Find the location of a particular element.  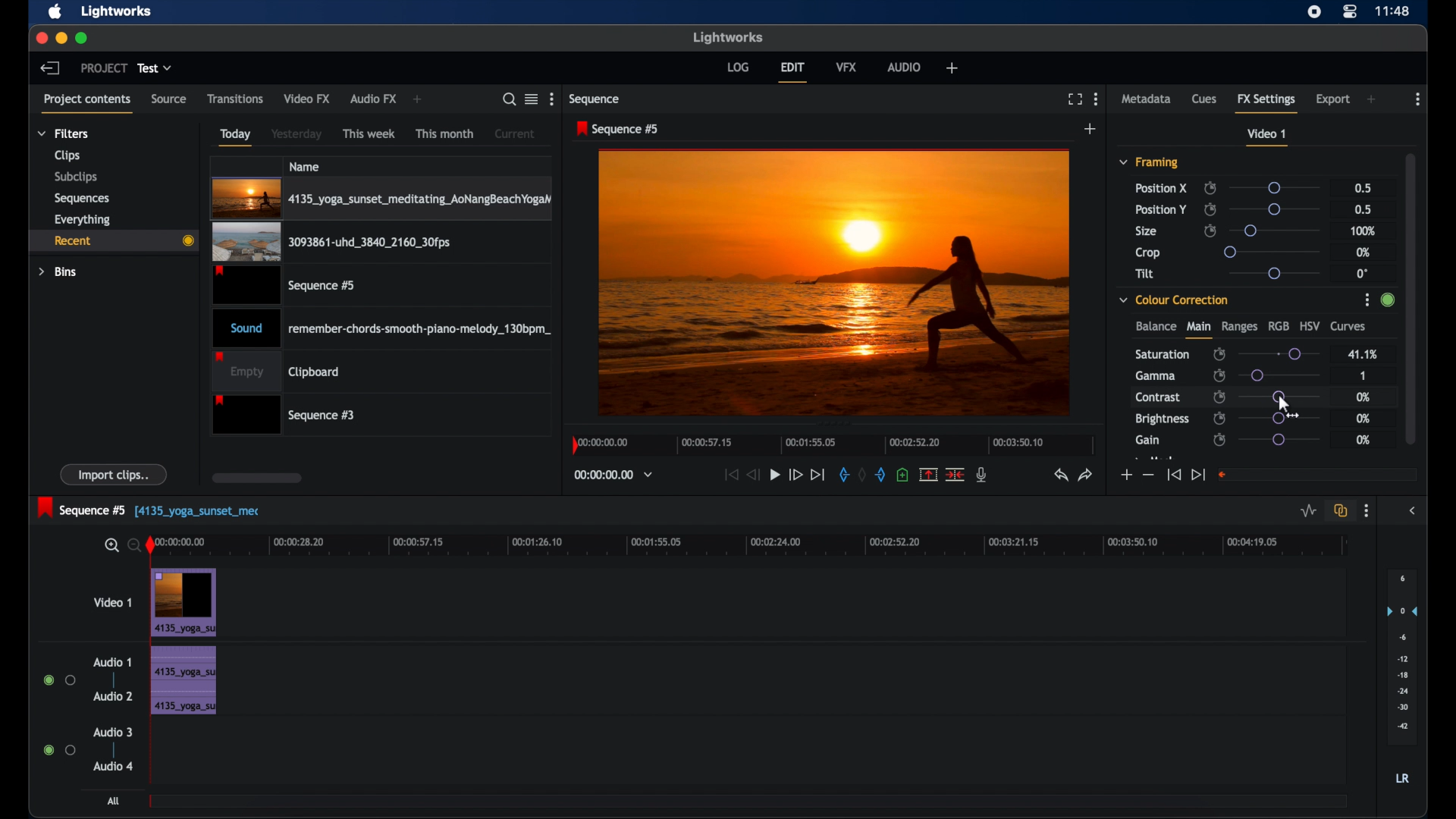

0% is located at coordinates (1363, 440).